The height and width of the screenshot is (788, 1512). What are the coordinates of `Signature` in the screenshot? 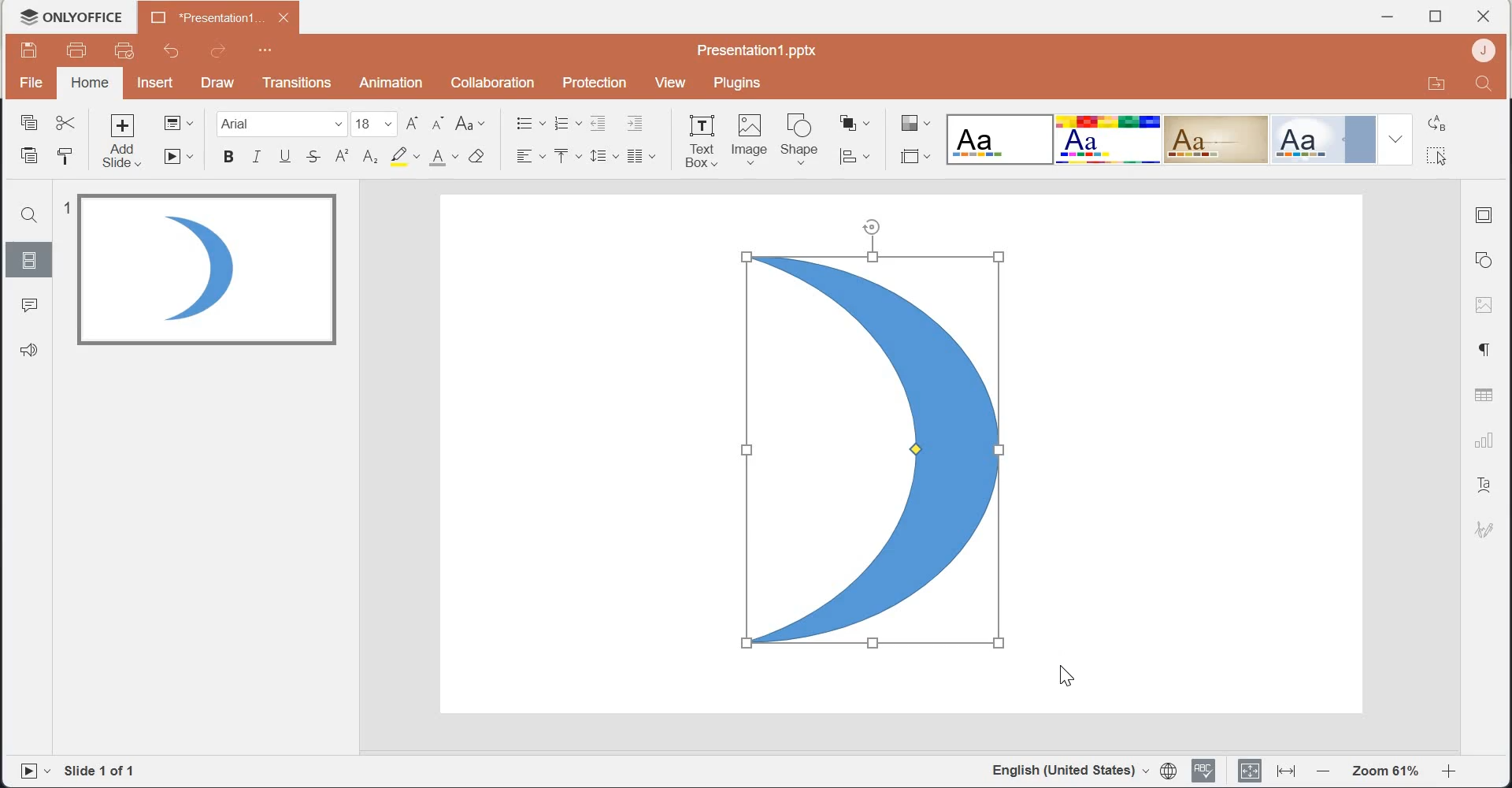 It's located at (1484, 528).